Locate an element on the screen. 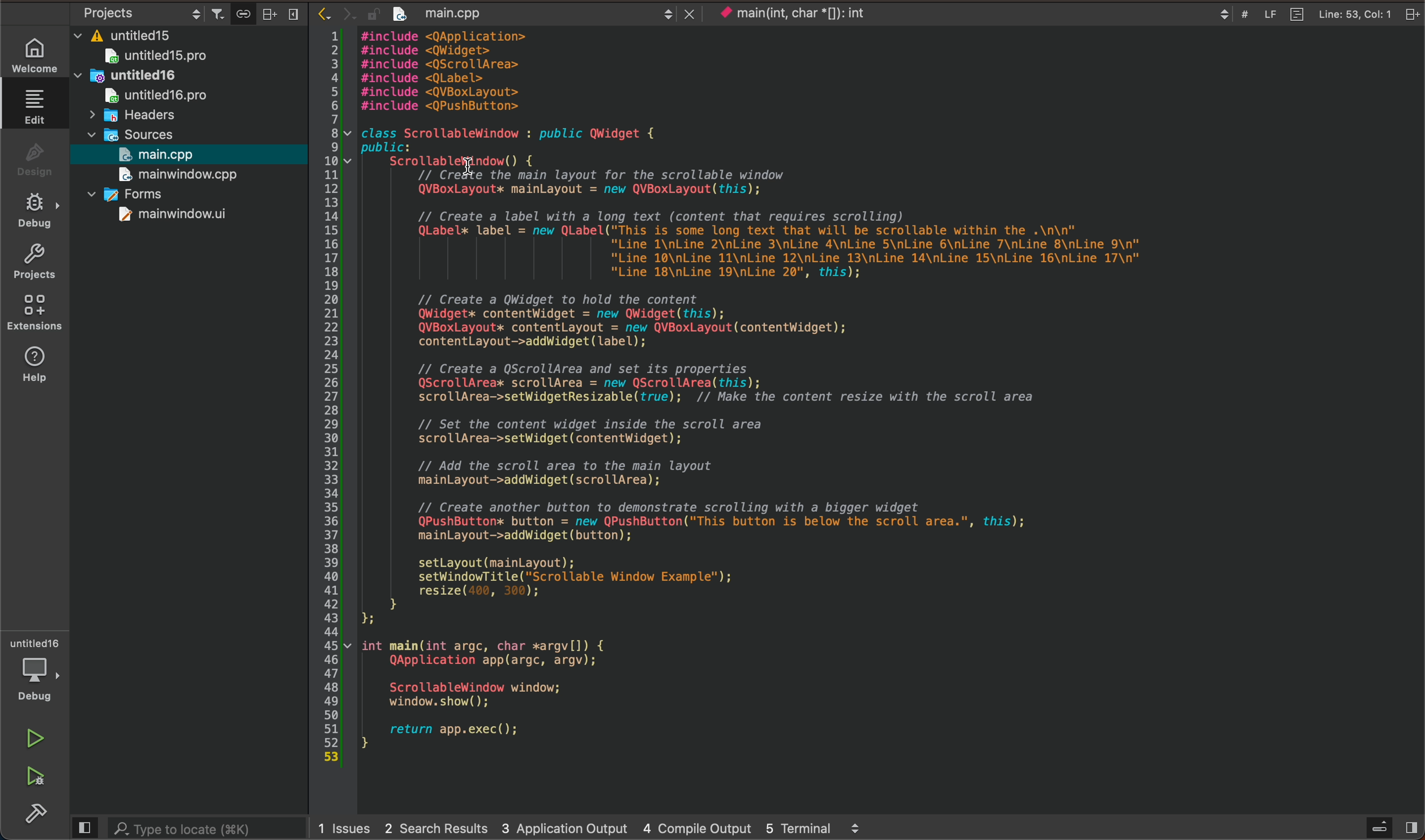 The height and width of the screenshot is (840, 1425). mainwindow.cpp is located at coordinates (173, 175).